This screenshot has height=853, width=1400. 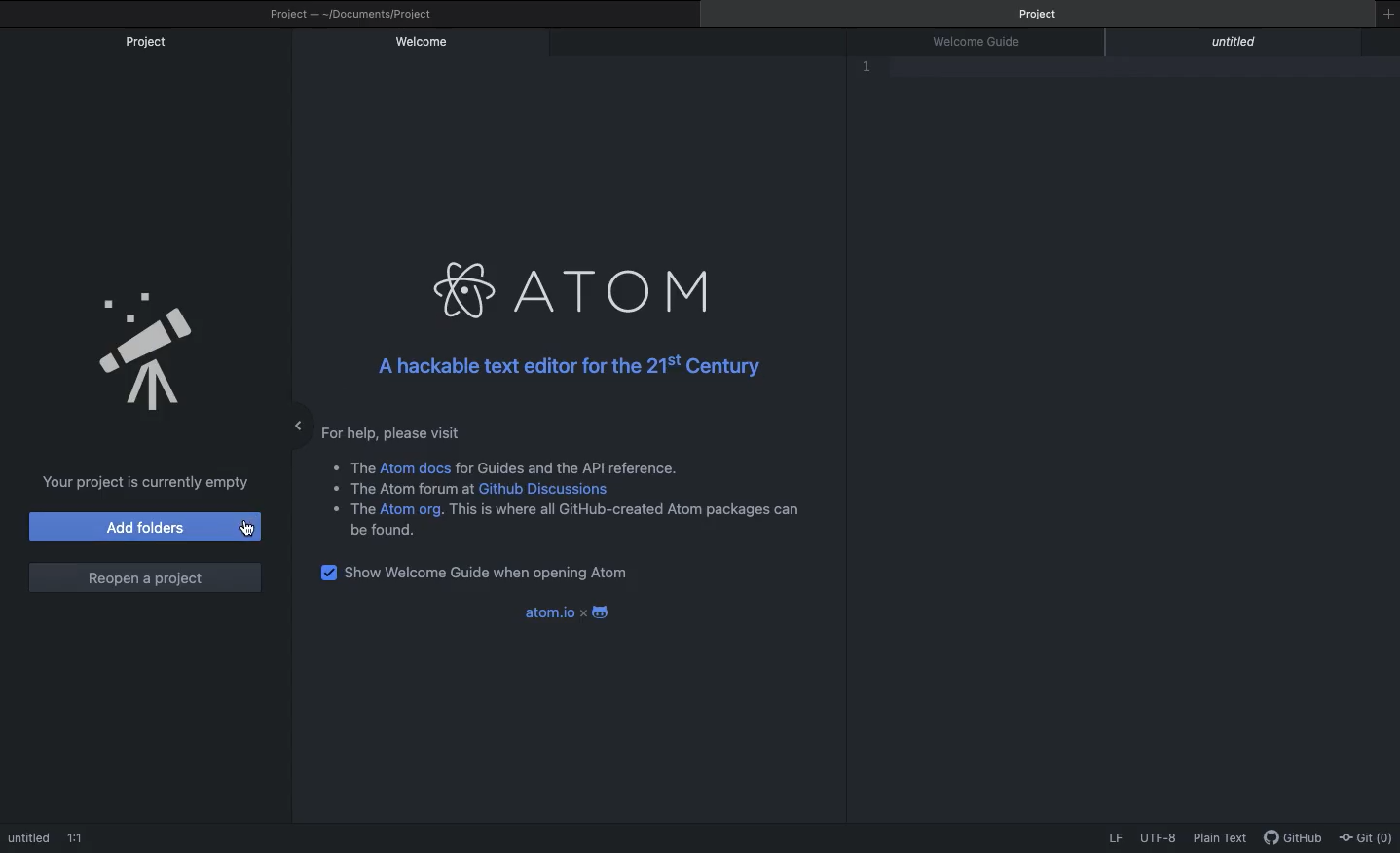 I want to click on Git, so click(x=1369, y=836).